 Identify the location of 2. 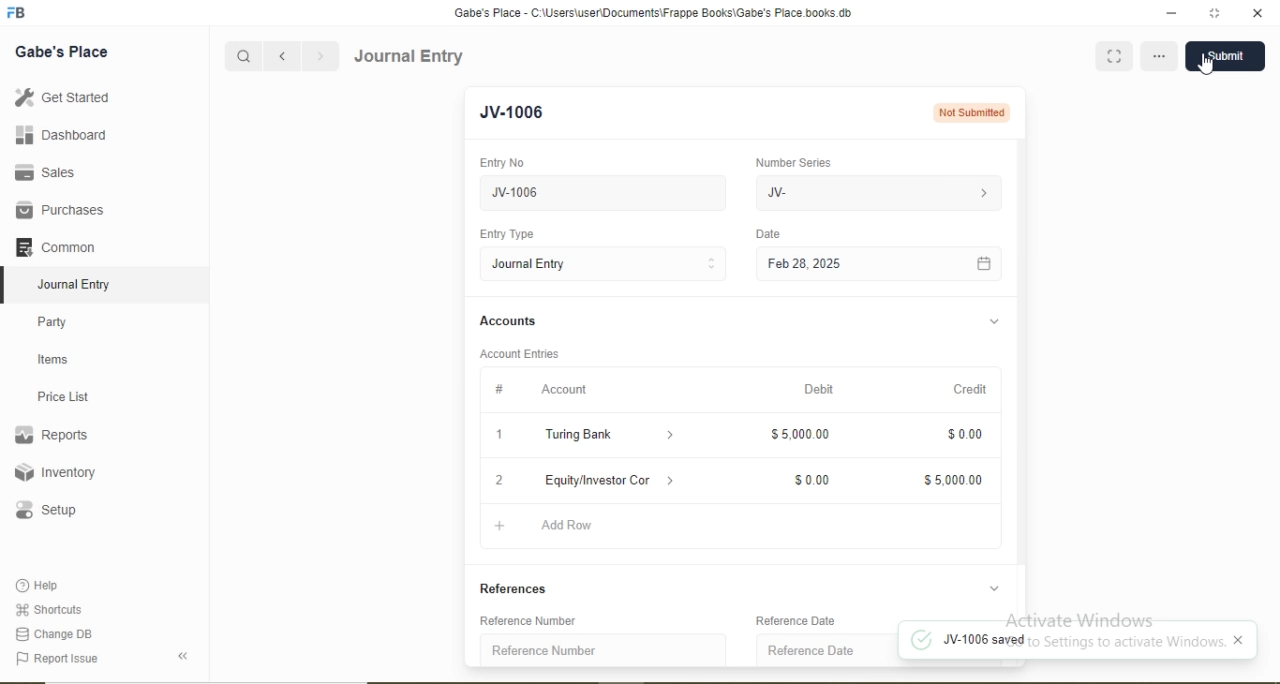
(500, 481).